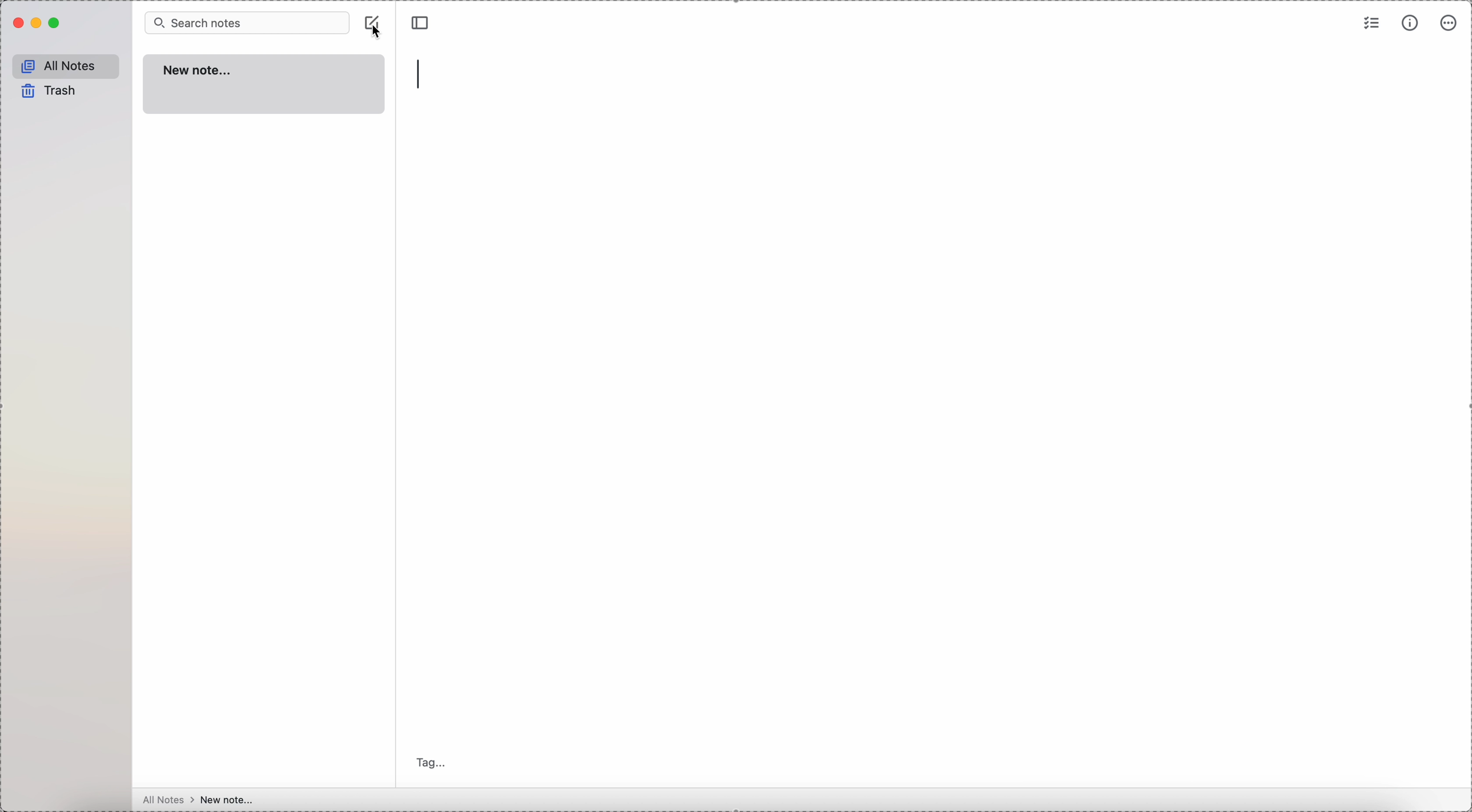  Describe the element at coordinates (422, 23) in the screenshot. I see `toggle sidebar` at that location.